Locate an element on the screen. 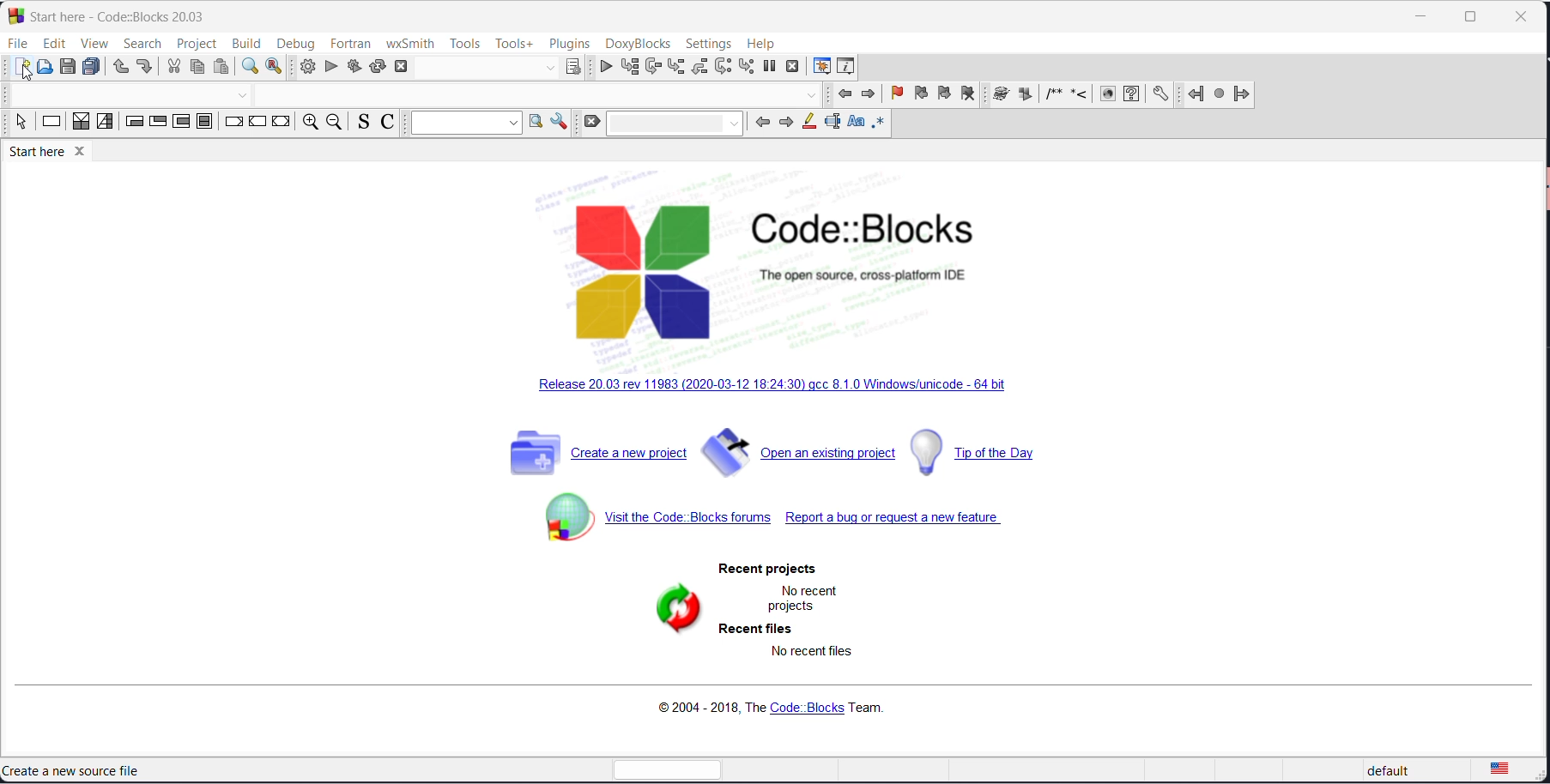  match case is located at coordinates (857, 124).